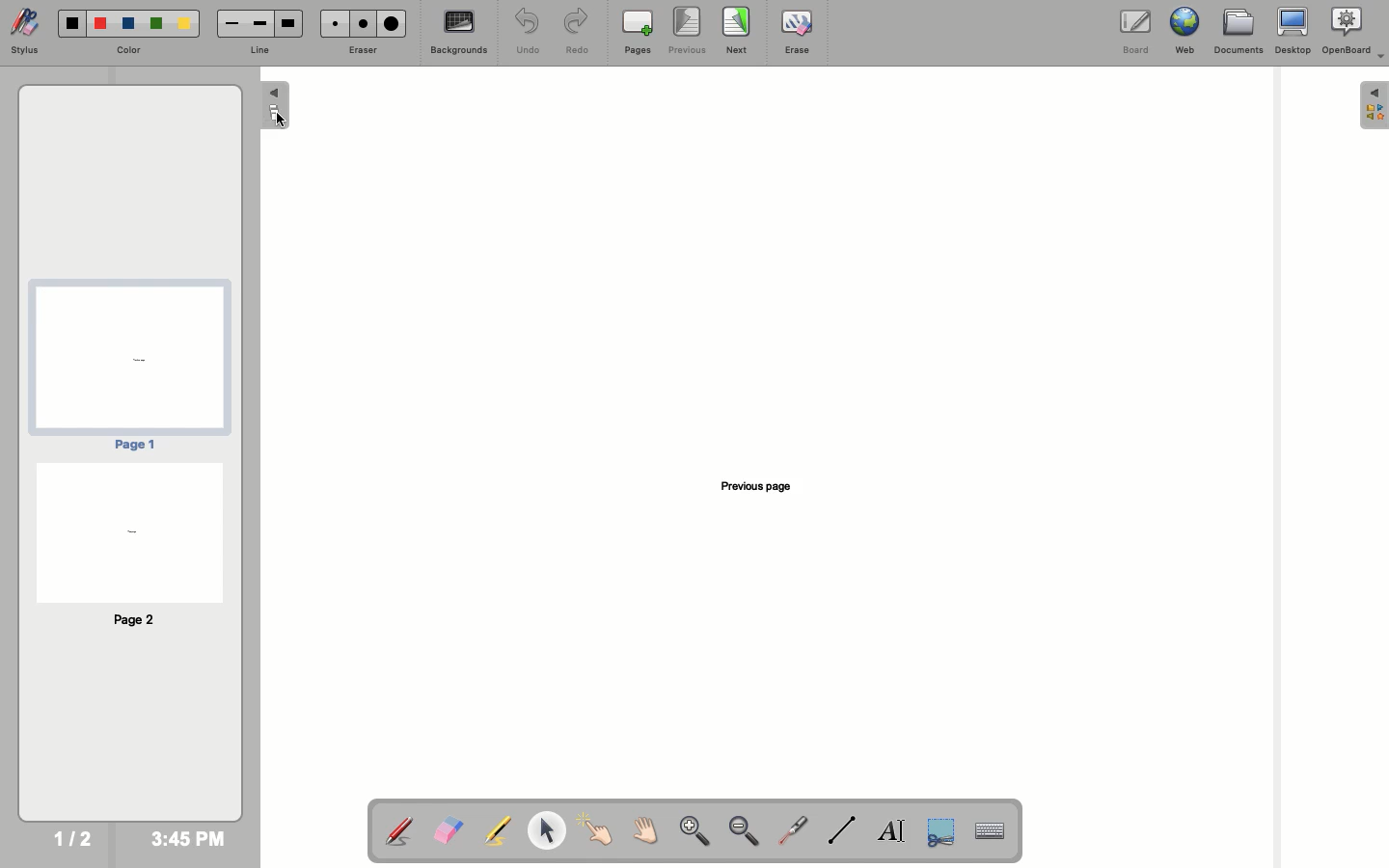 The height and width of the screenshot is (868, 1389). What do you see at coordinates (333, 23) in the screenshot?
I see `Small eraser` at bounding box center [333, 23].